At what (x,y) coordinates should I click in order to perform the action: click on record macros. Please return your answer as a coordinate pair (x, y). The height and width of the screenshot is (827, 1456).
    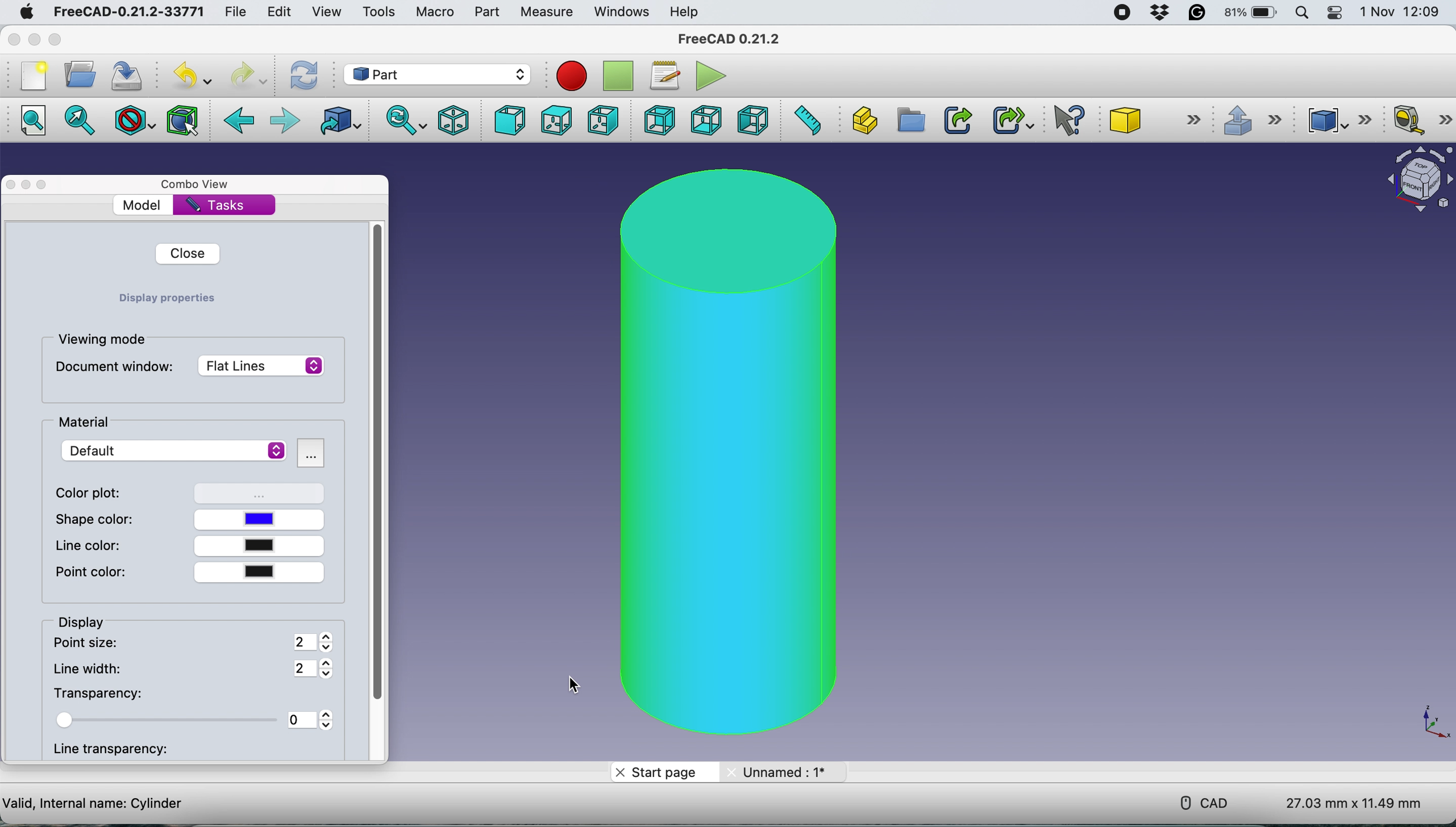
    Looking at the image, I should click on (570, 76).